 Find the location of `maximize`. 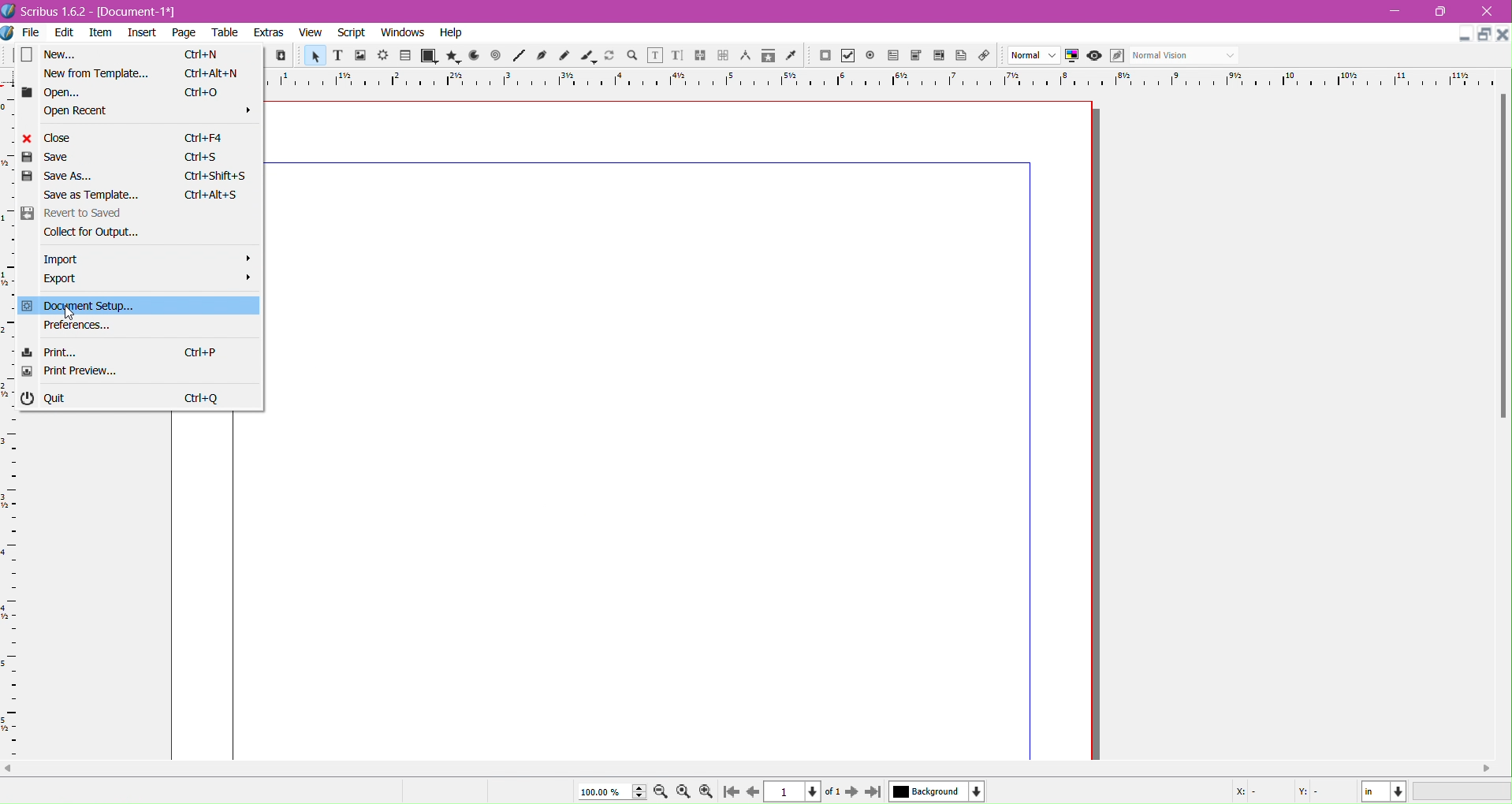

maximize is located at coordinates (1446, 12).